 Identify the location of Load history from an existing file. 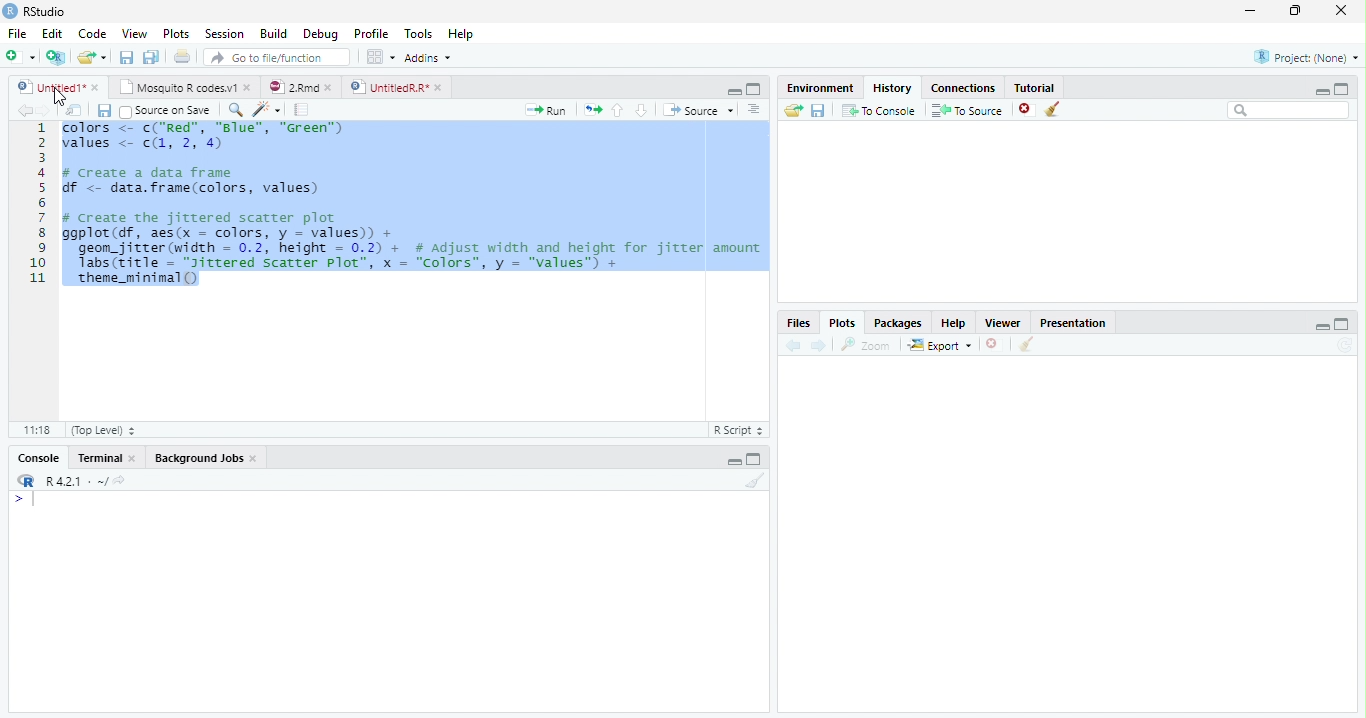
(793, 110).